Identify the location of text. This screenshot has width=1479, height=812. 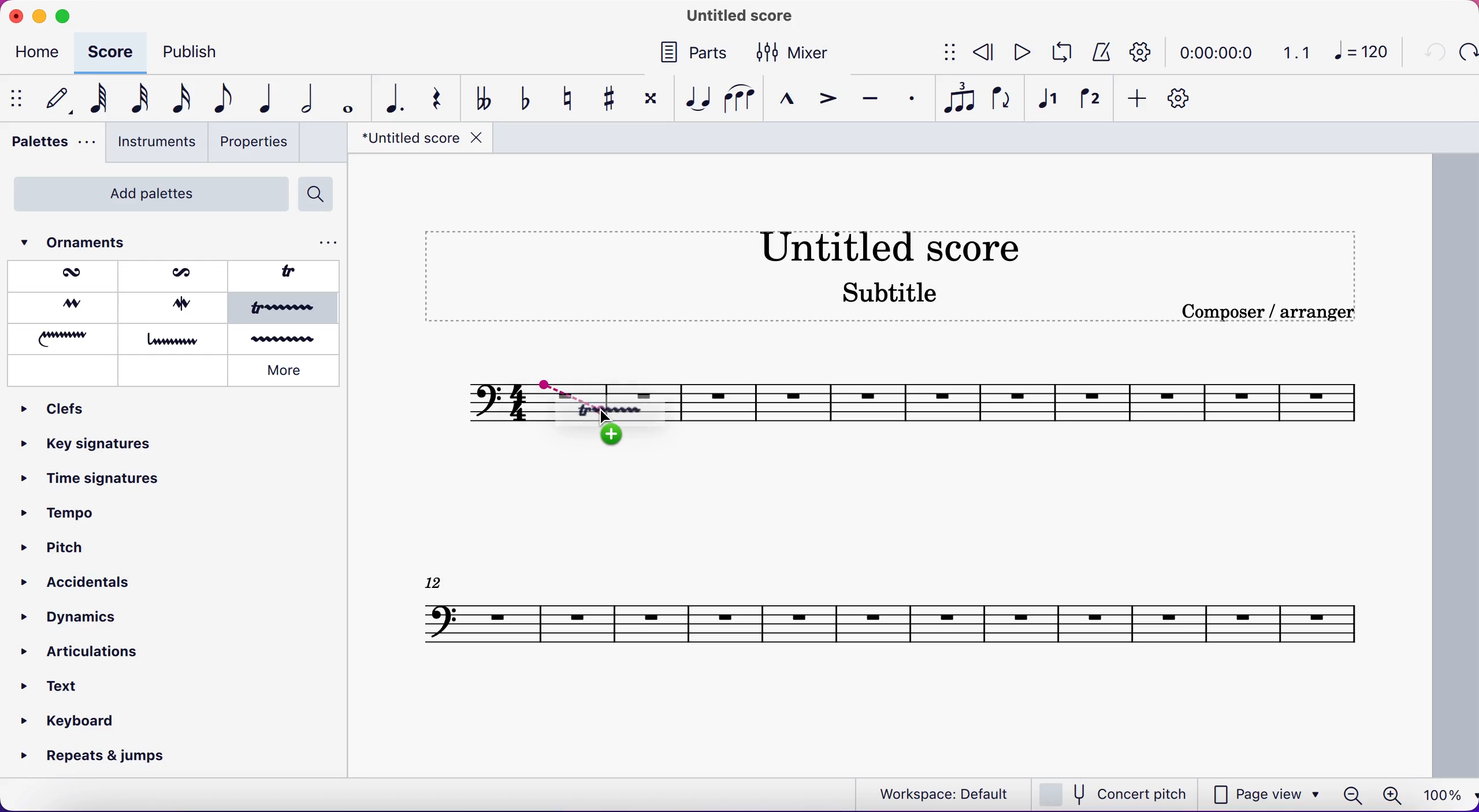
(64, 683).